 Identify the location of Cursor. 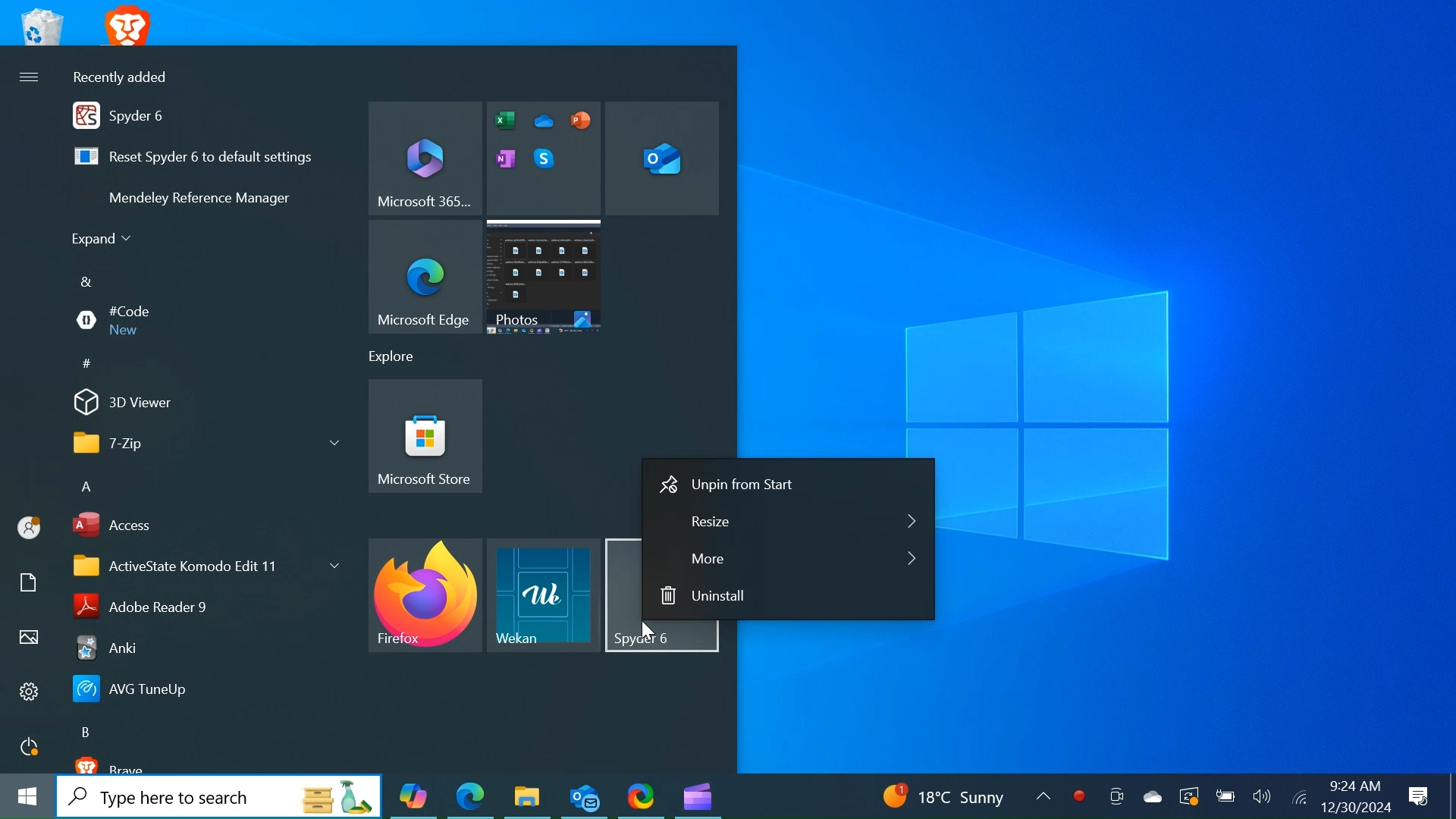
(652, 632).